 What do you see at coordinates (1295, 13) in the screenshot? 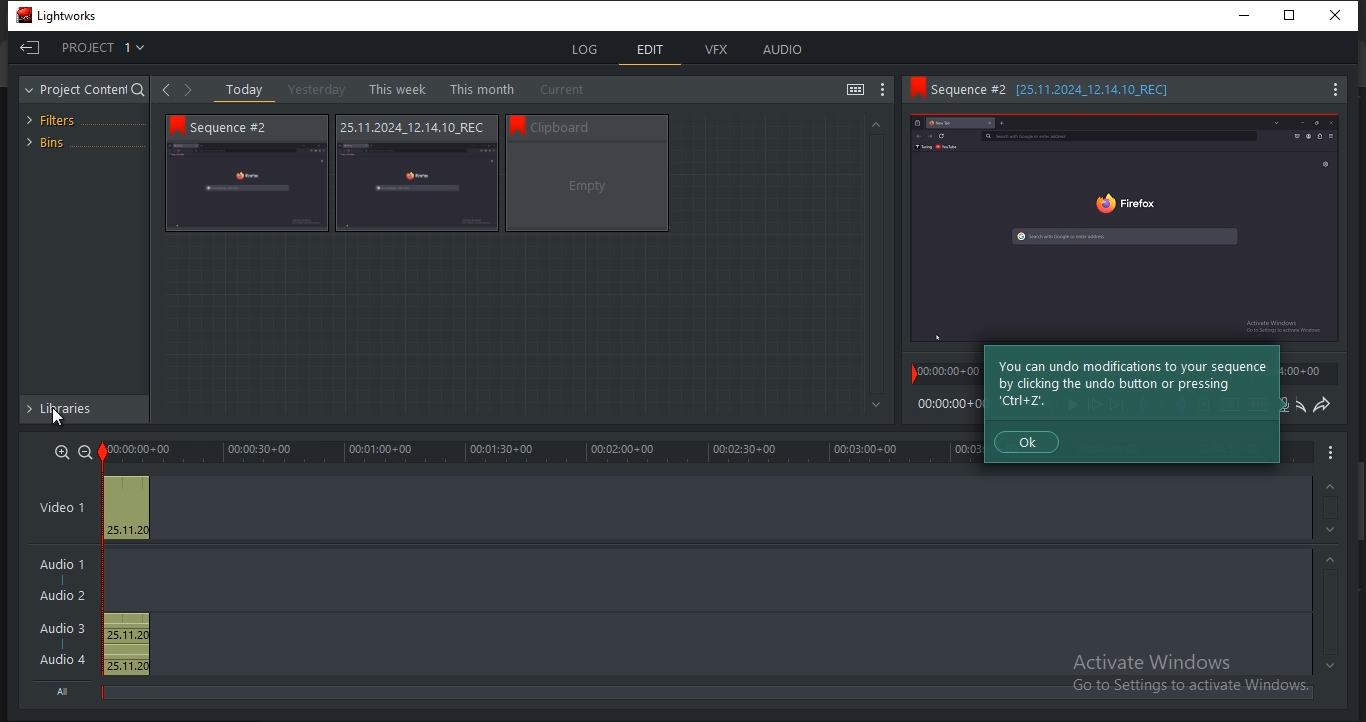
I see `Restore` at bounding box center [1295, 13].